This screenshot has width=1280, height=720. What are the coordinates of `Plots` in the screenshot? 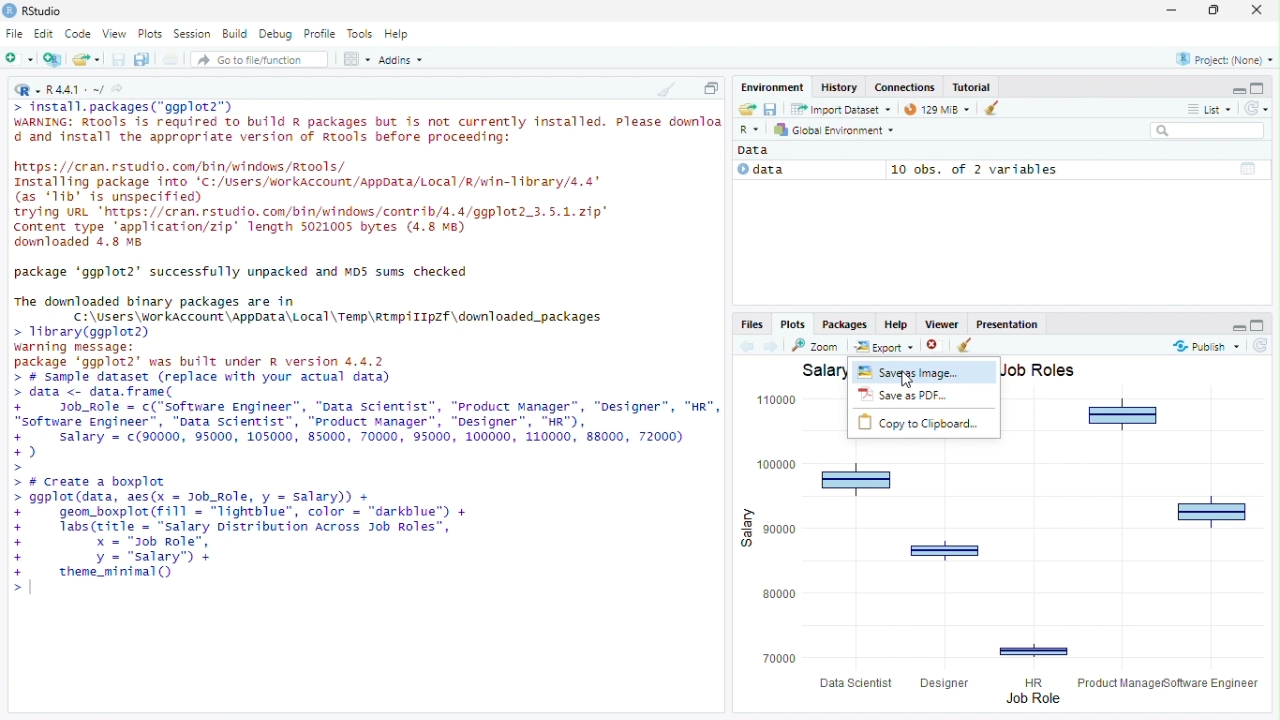 It's located at (150, 34).